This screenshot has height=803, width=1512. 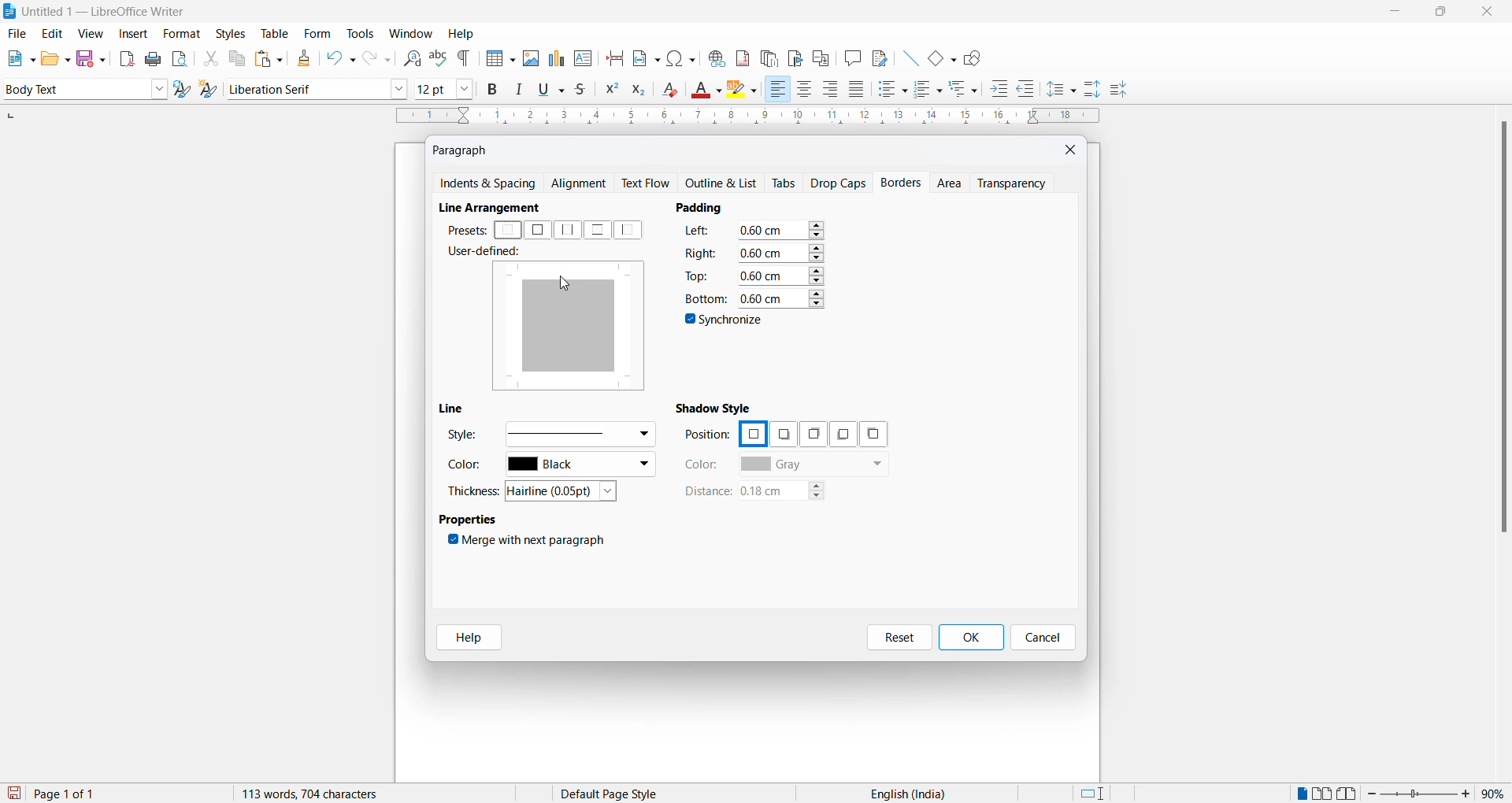 What do you see at coordinates (266, 60) in the screenshot?
I see `paste` at bounding box center [266, 60].